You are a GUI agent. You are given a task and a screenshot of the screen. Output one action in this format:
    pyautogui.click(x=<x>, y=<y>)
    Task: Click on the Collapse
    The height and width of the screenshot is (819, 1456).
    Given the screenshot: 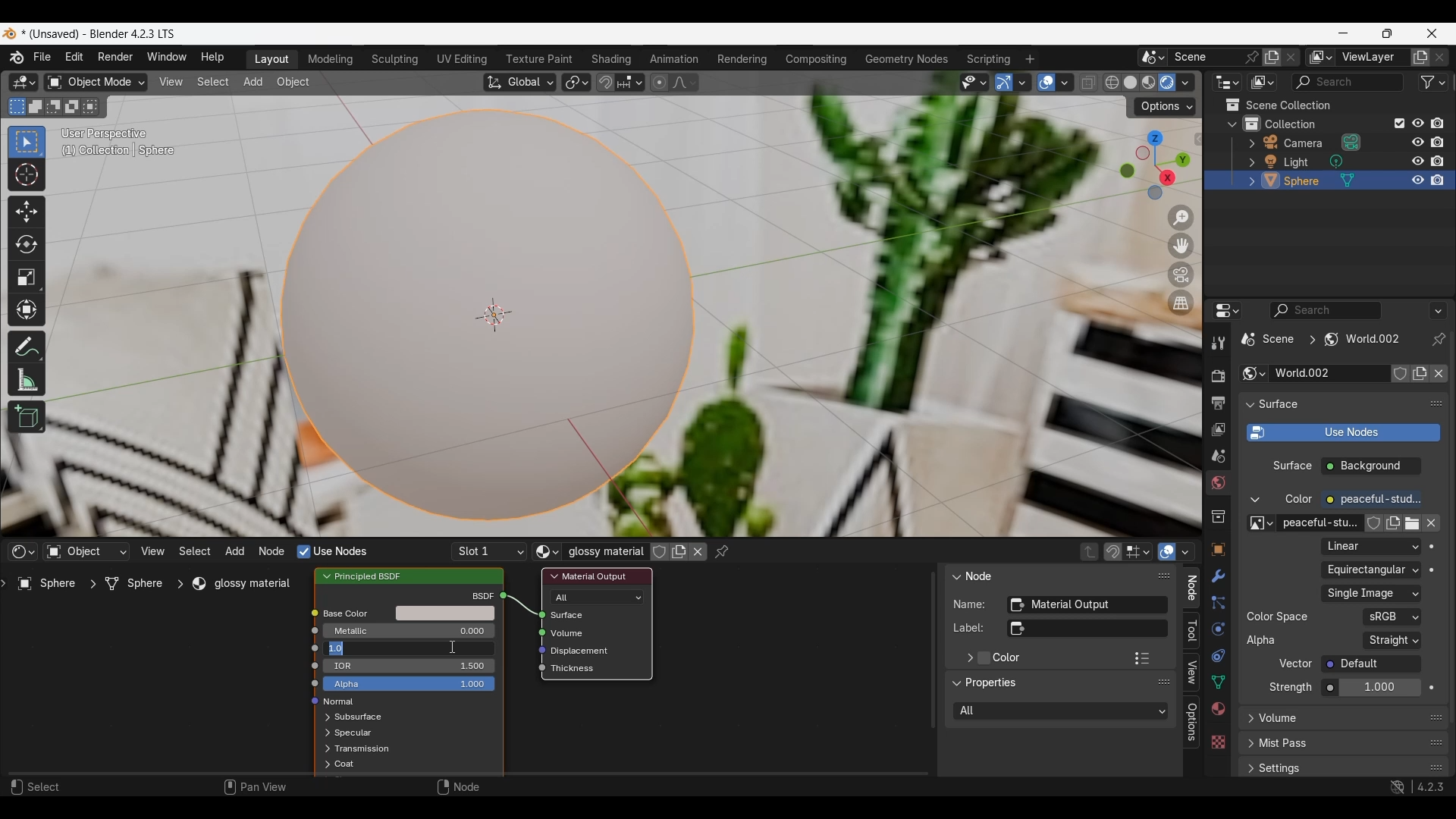 What is the action you would take?
    pyautogui.click(x=1249, y=405)
    